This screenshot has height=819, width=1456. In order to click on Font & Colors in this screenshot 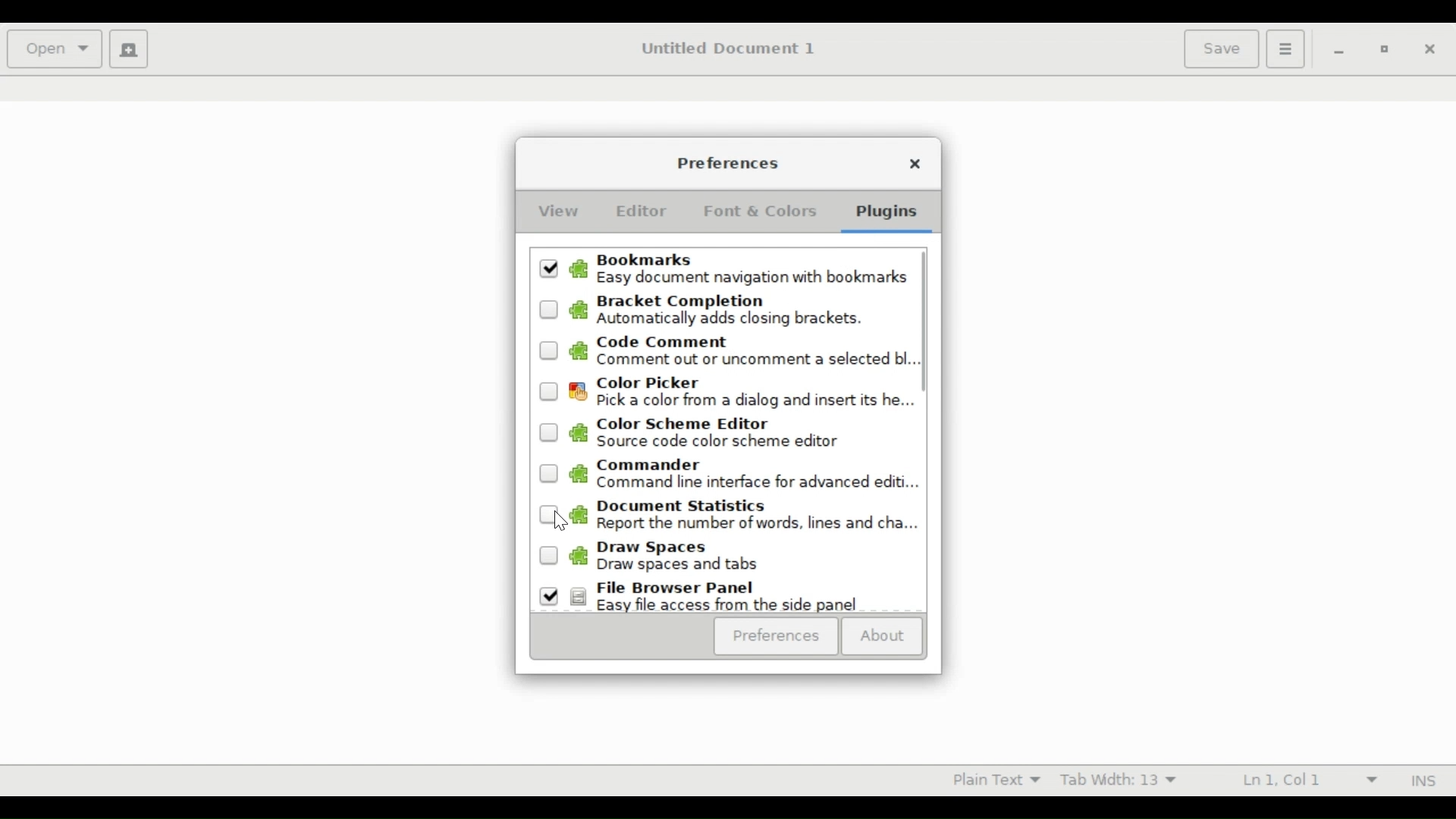, I will do `click(762, 212)`.